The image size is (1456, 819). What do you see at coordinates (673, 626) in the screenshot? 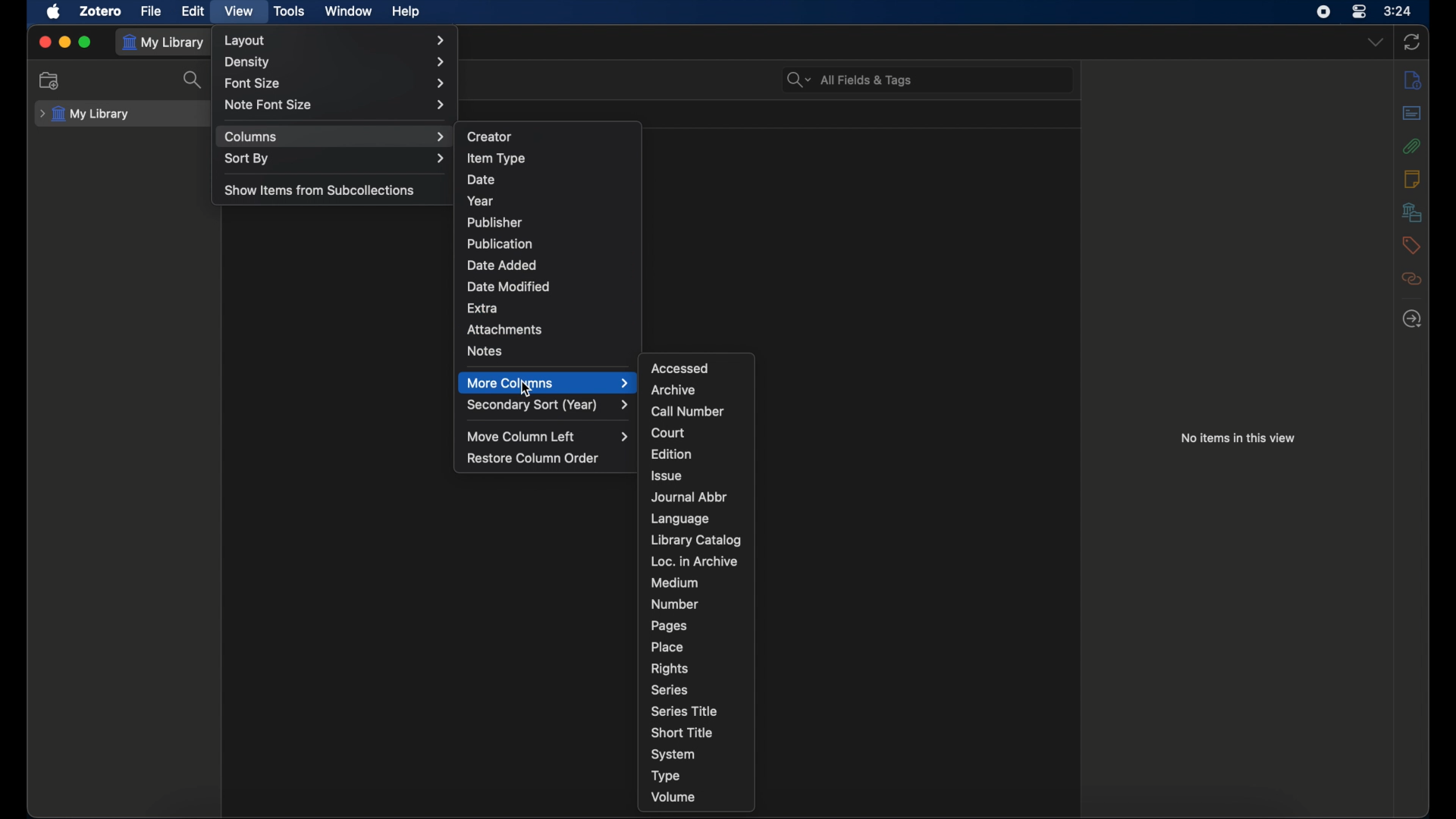
I see `pages` at bounding box center [673, 626].